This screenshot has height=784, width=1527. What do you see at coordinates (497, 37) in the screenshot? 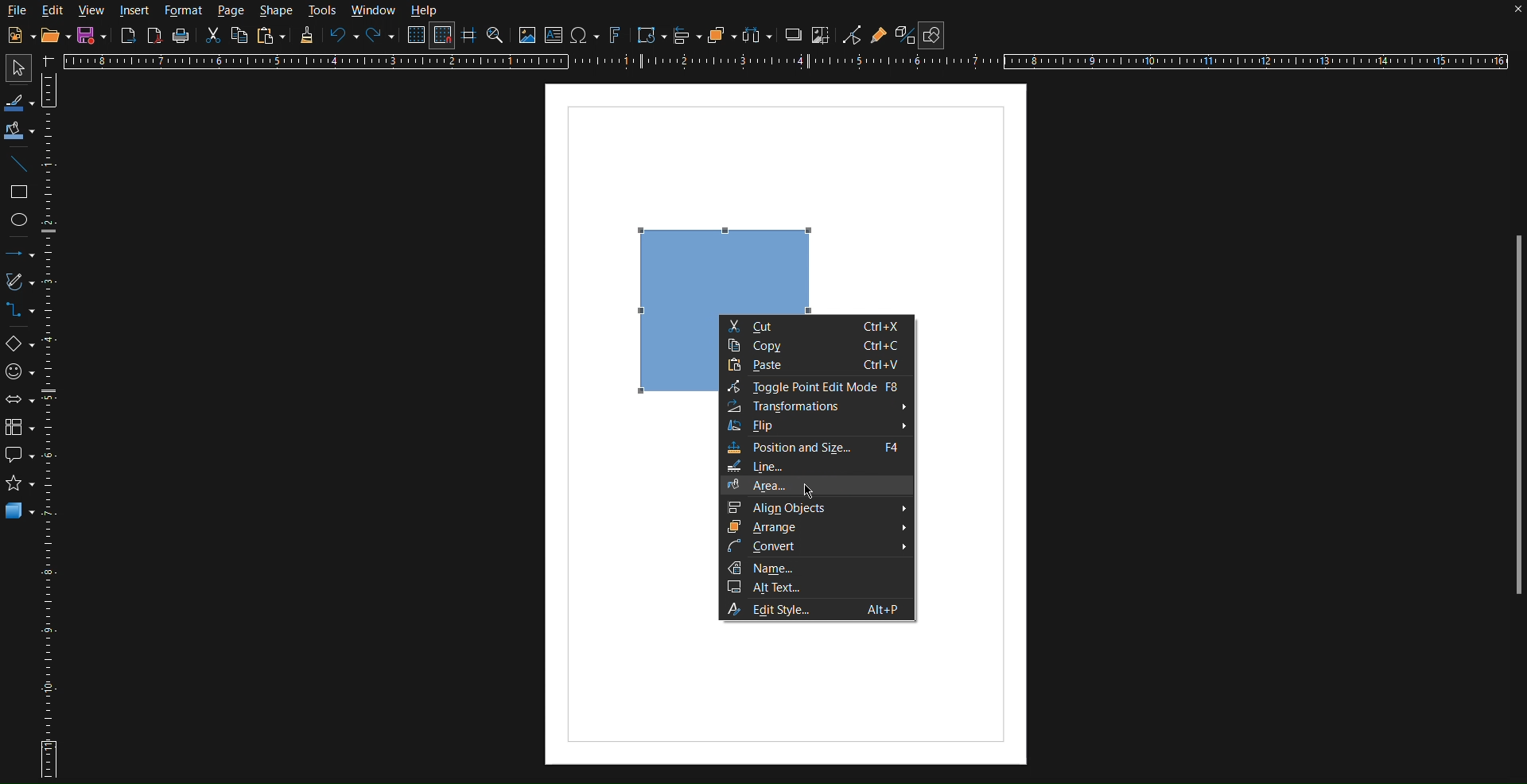
I see `Zoom and Pan` at bounding box center [497, 37].